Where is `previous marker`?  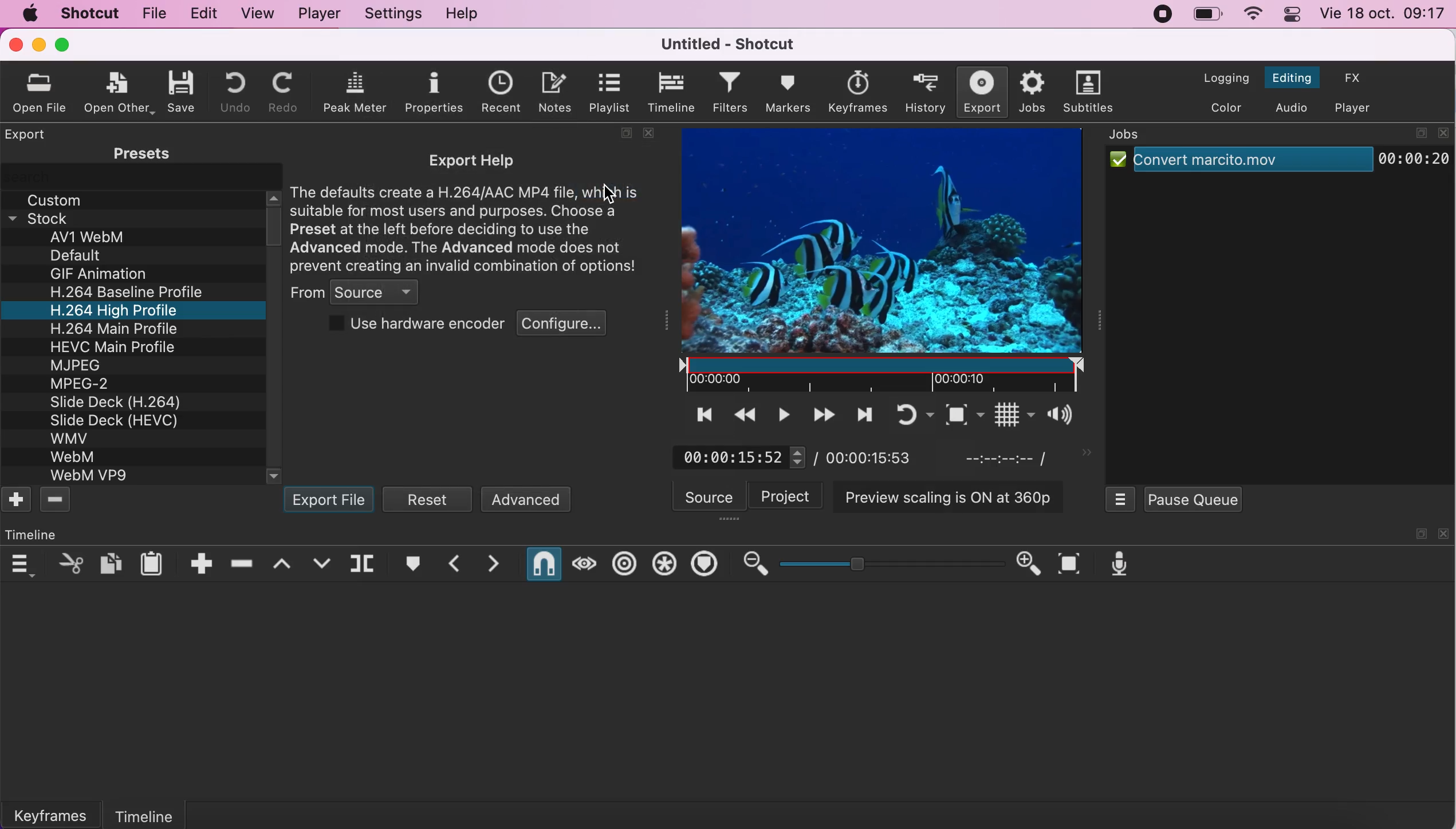 previous marker is located at coordinates (451, 564).